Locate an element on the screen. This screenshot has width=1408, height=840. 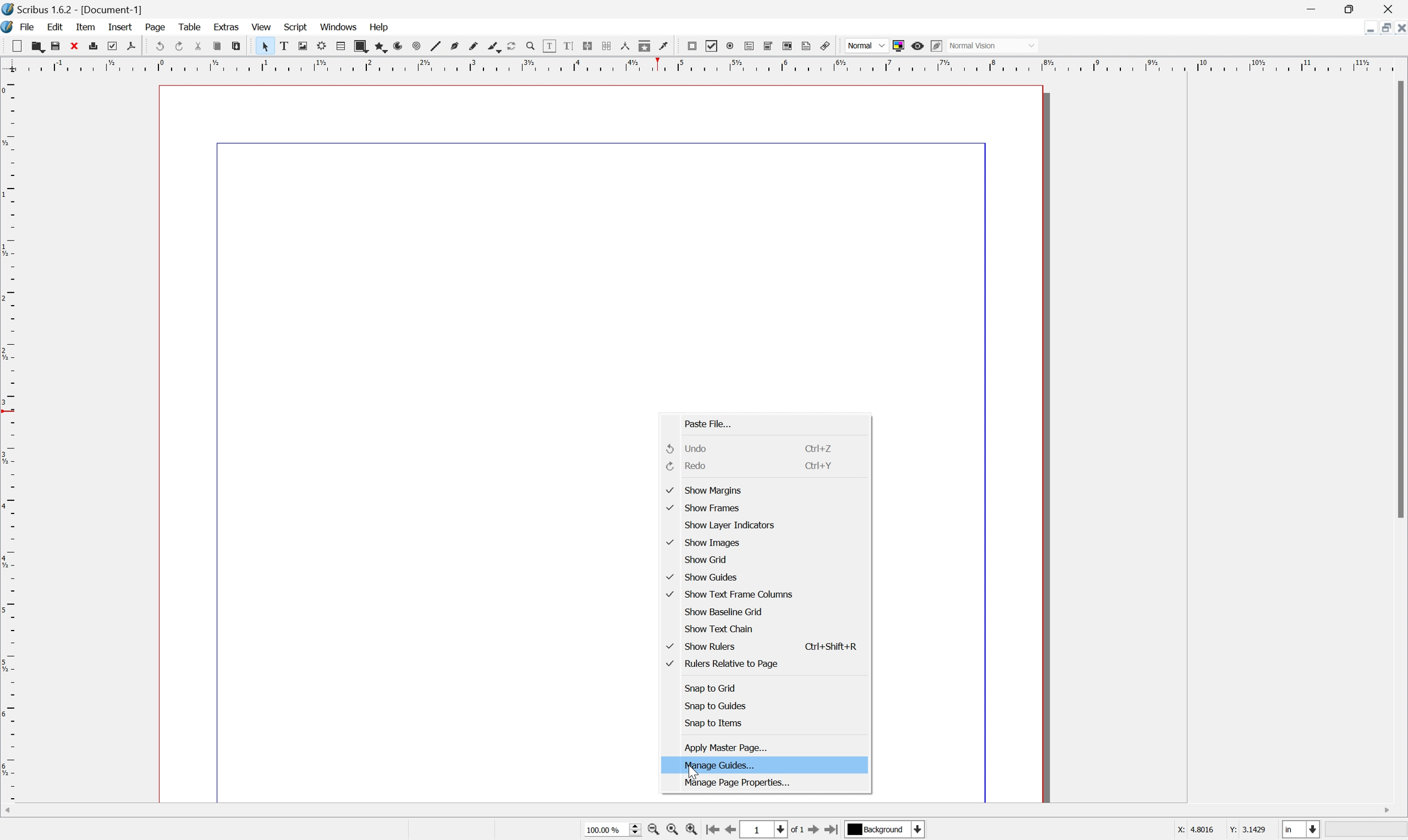
ctrl+z is located at coordinates (820, 448).